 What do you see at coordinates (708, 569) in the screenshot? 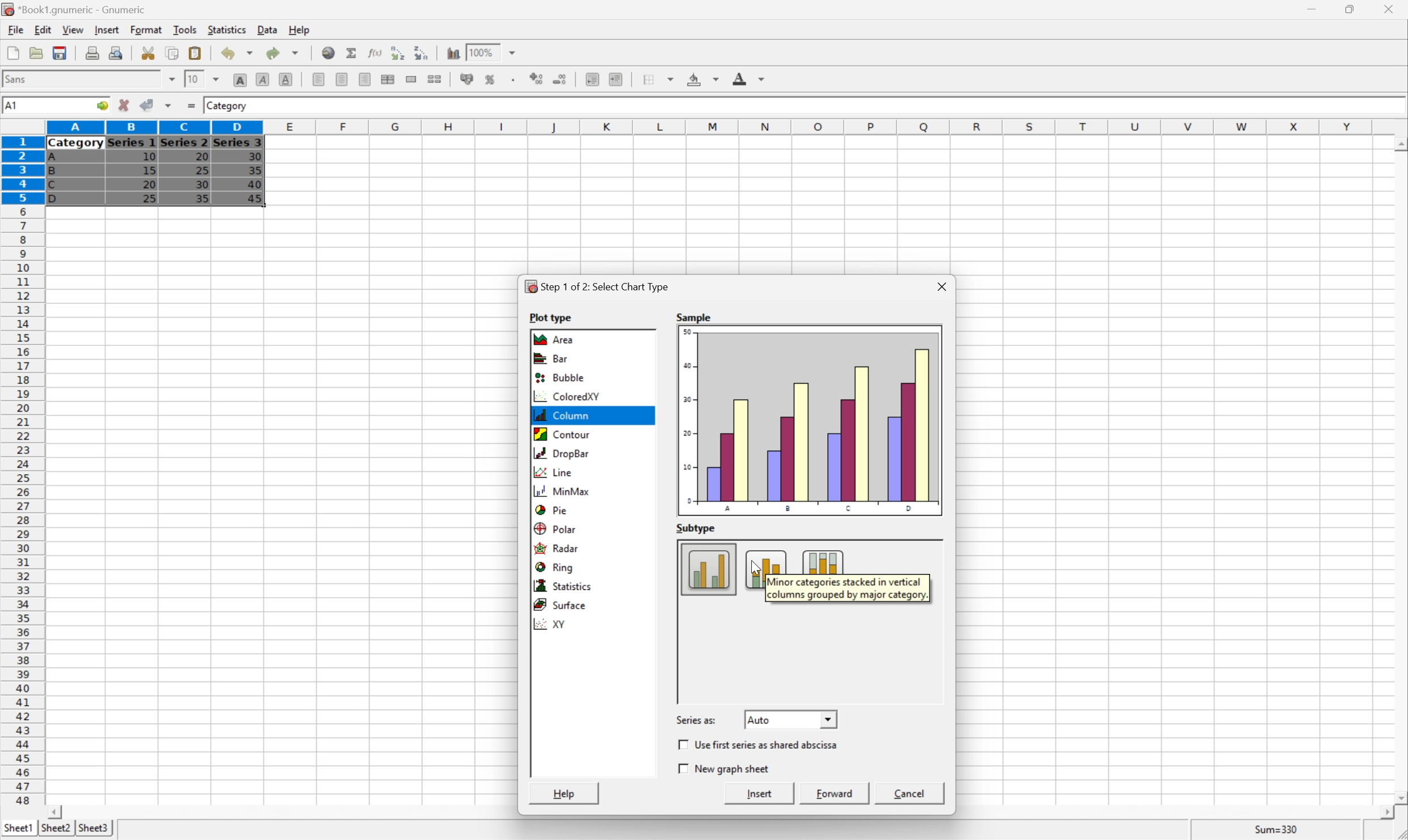
I see `Column subtype` at bounding box center [708, 569].